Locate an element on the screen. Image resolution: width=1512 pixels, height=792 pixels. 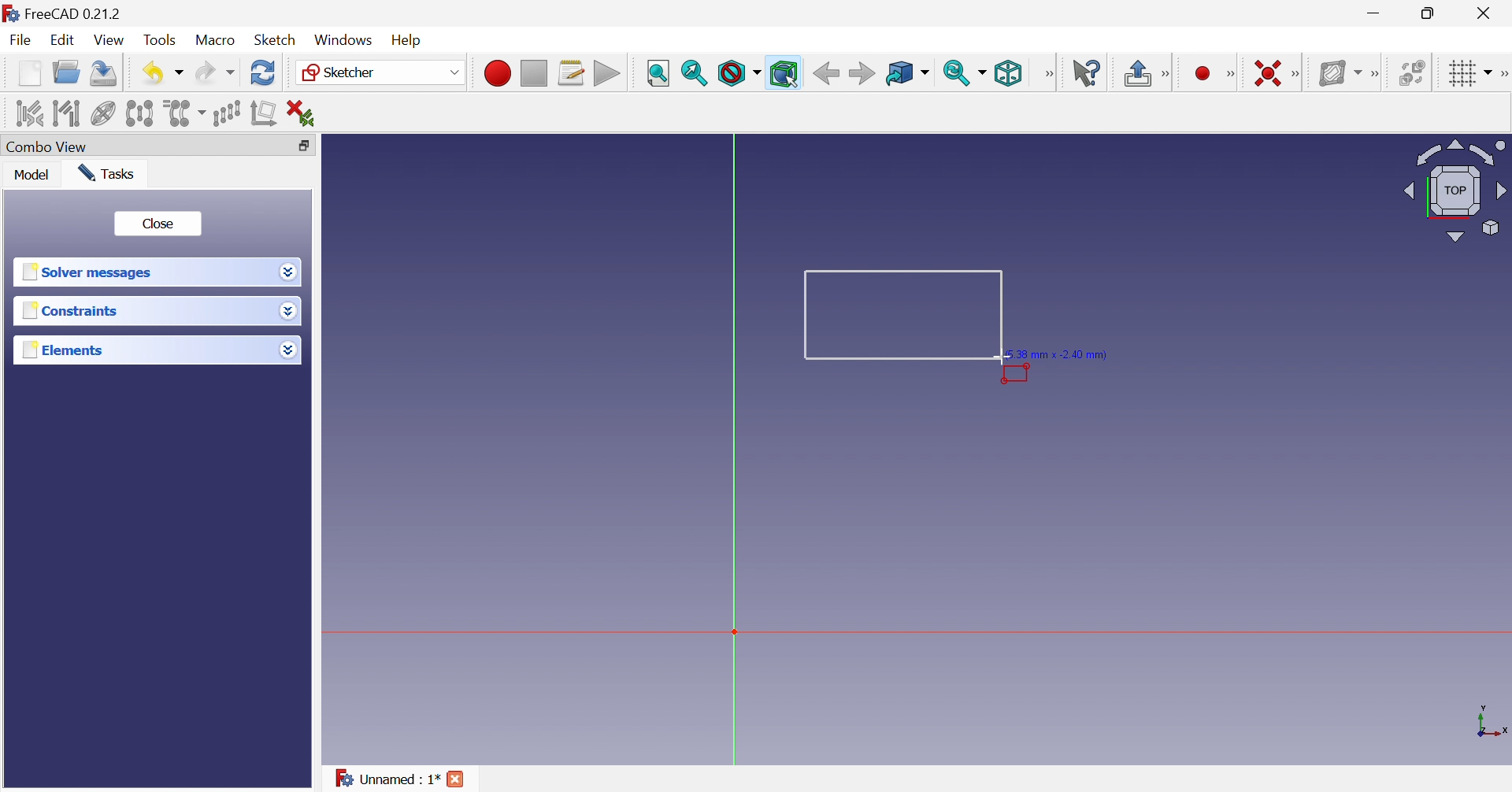
Forward is located at coordinates (862, 74).